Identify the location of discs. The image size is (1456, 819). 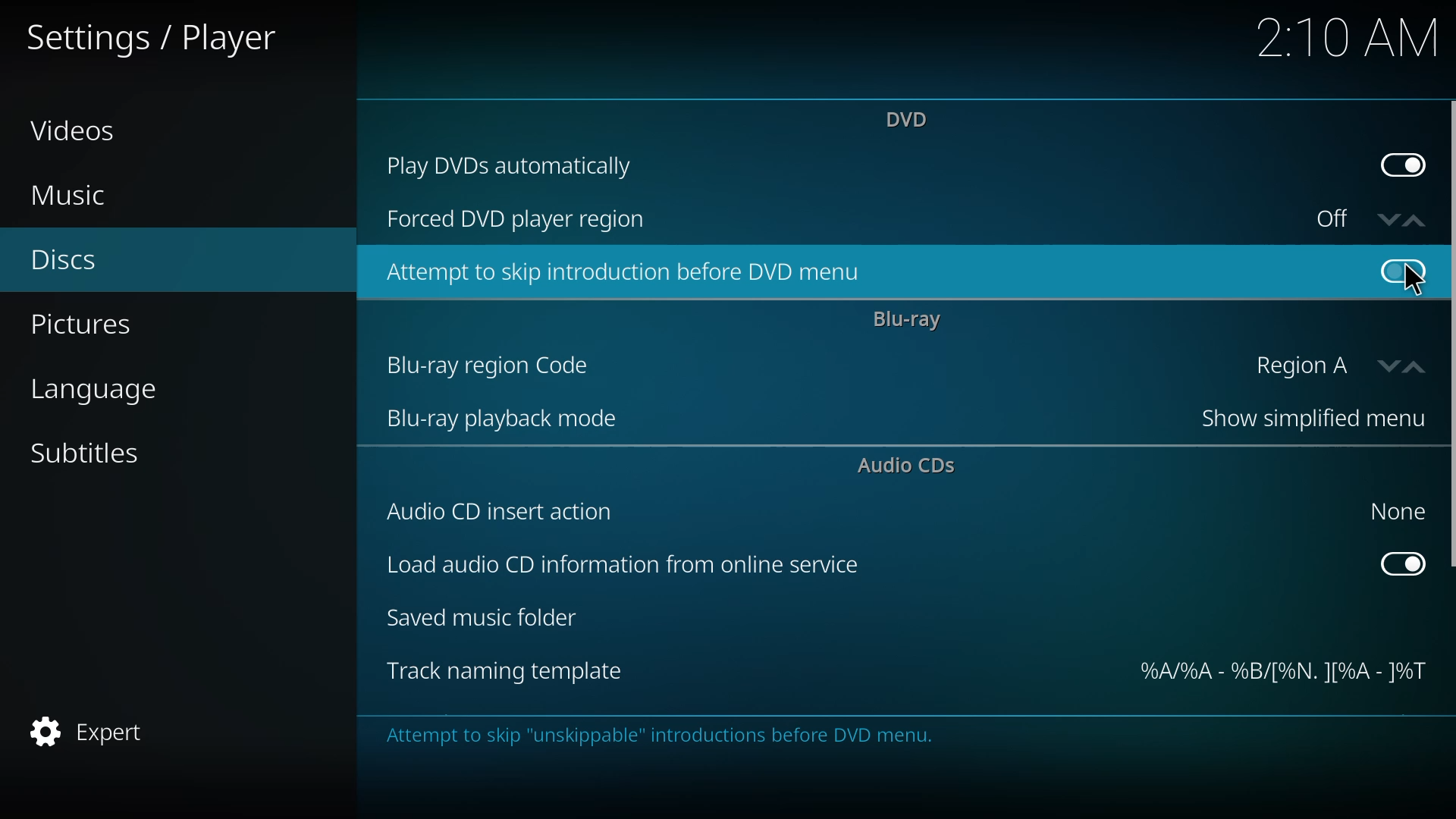
(71, 256).